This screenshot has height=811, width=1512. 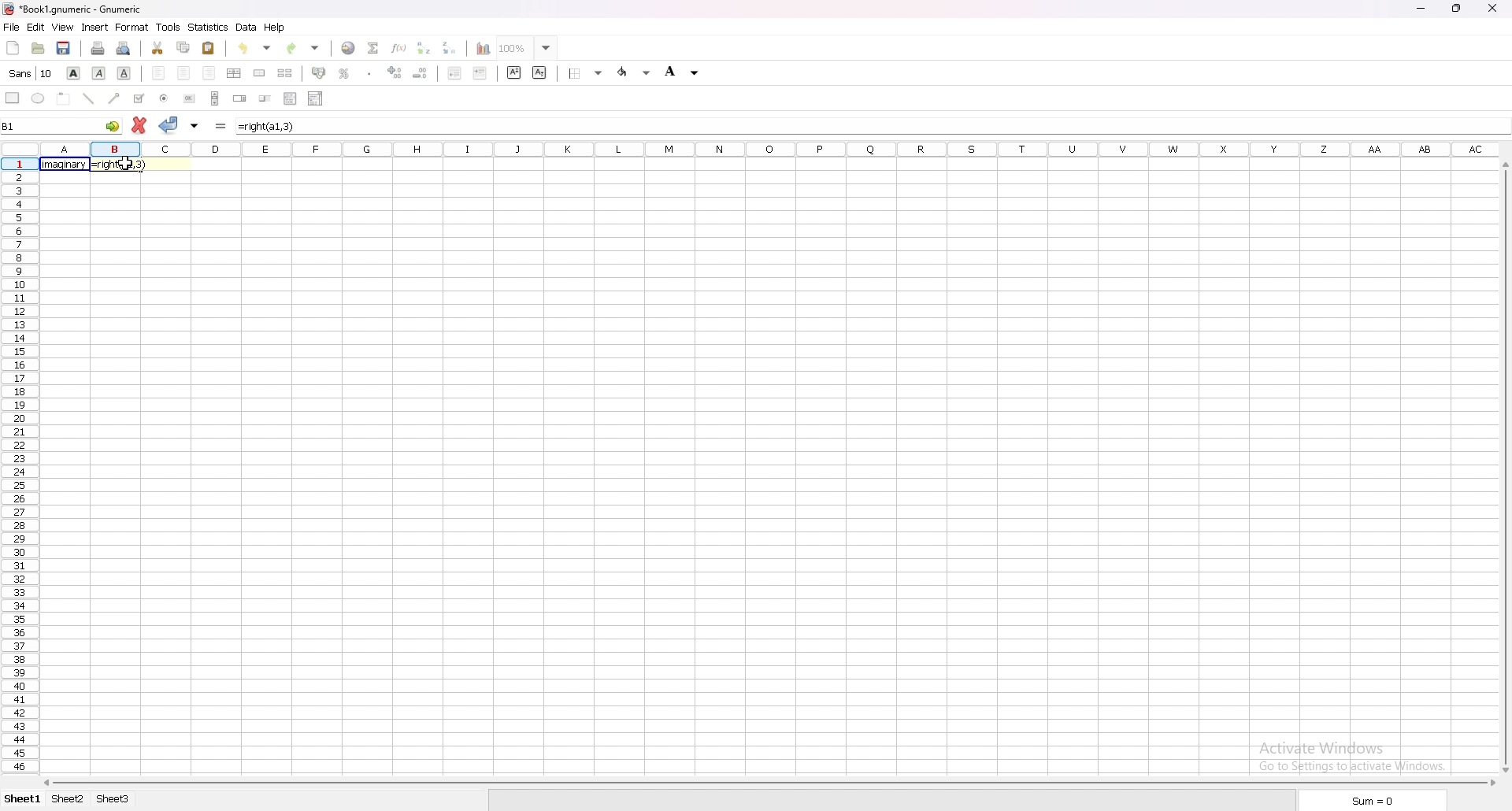 I want to click on italic, so click(x=99, y=72).